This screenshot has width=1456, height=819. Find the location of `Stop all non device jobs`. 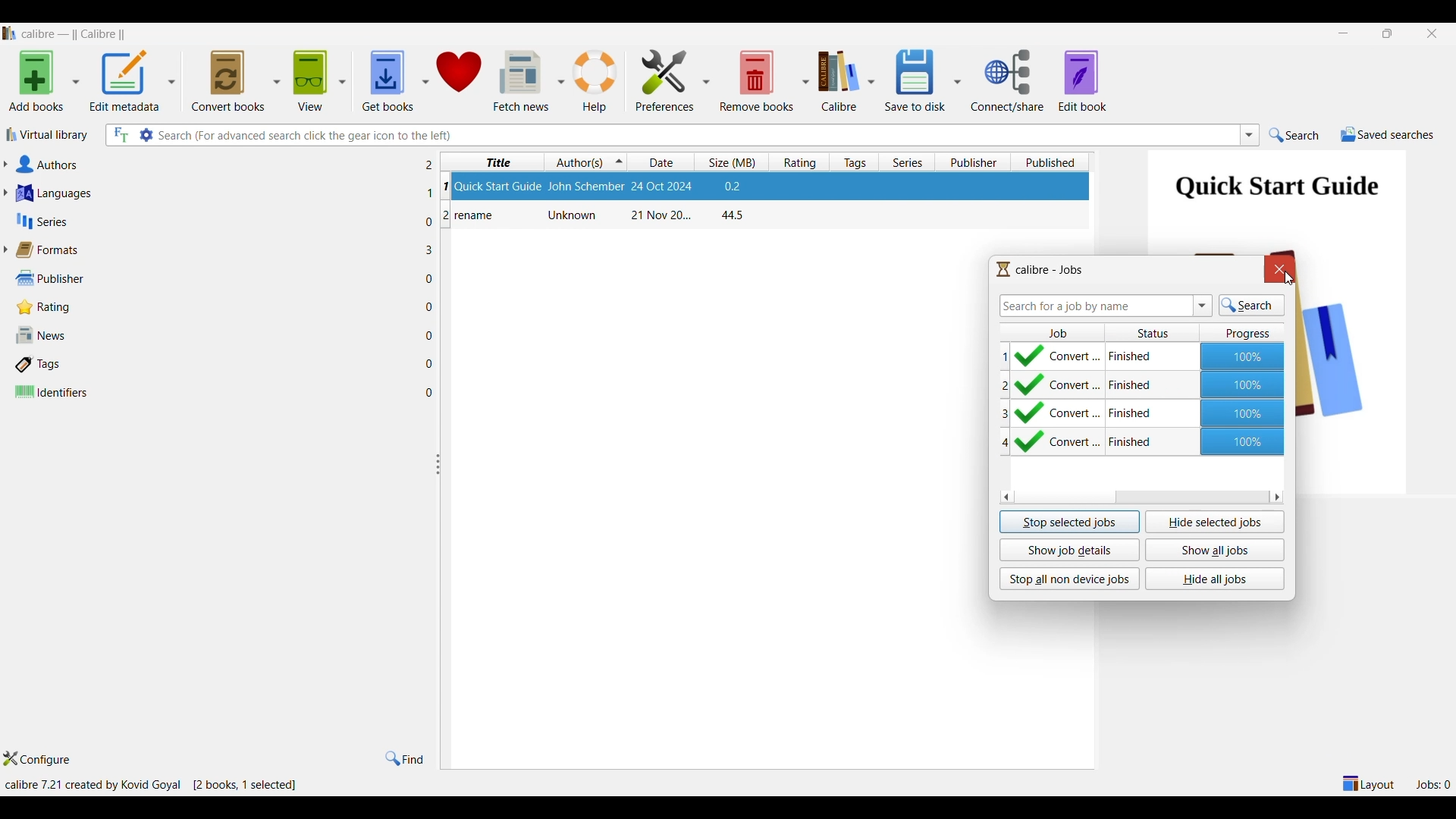

Stop all non device jobs is located at coordinates (1070, 579).